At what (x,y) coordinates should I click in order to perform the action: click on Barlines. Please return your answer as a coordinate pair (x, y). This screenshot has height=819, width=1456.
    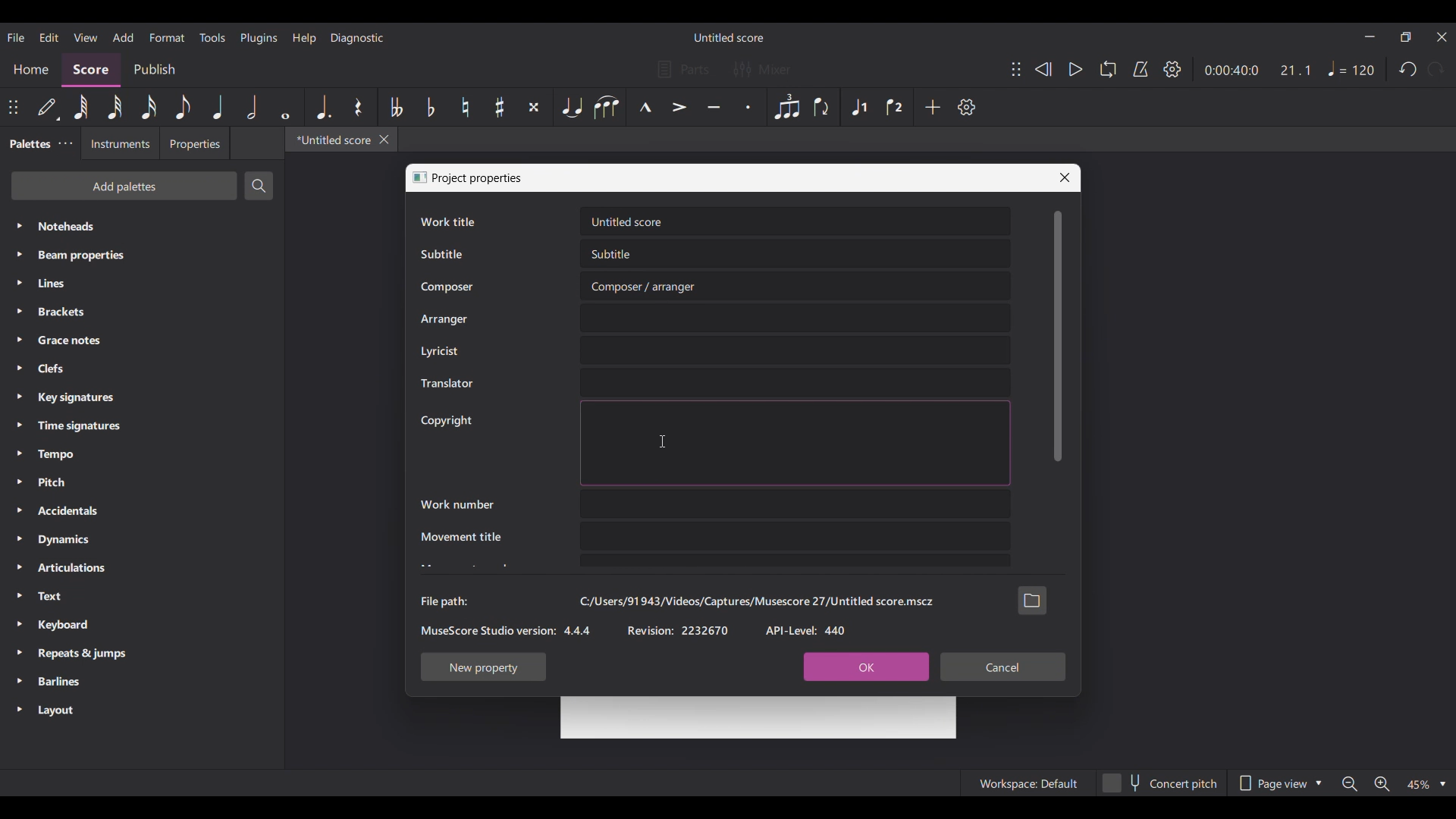
    Looking at the image, I should click on (143, 682).